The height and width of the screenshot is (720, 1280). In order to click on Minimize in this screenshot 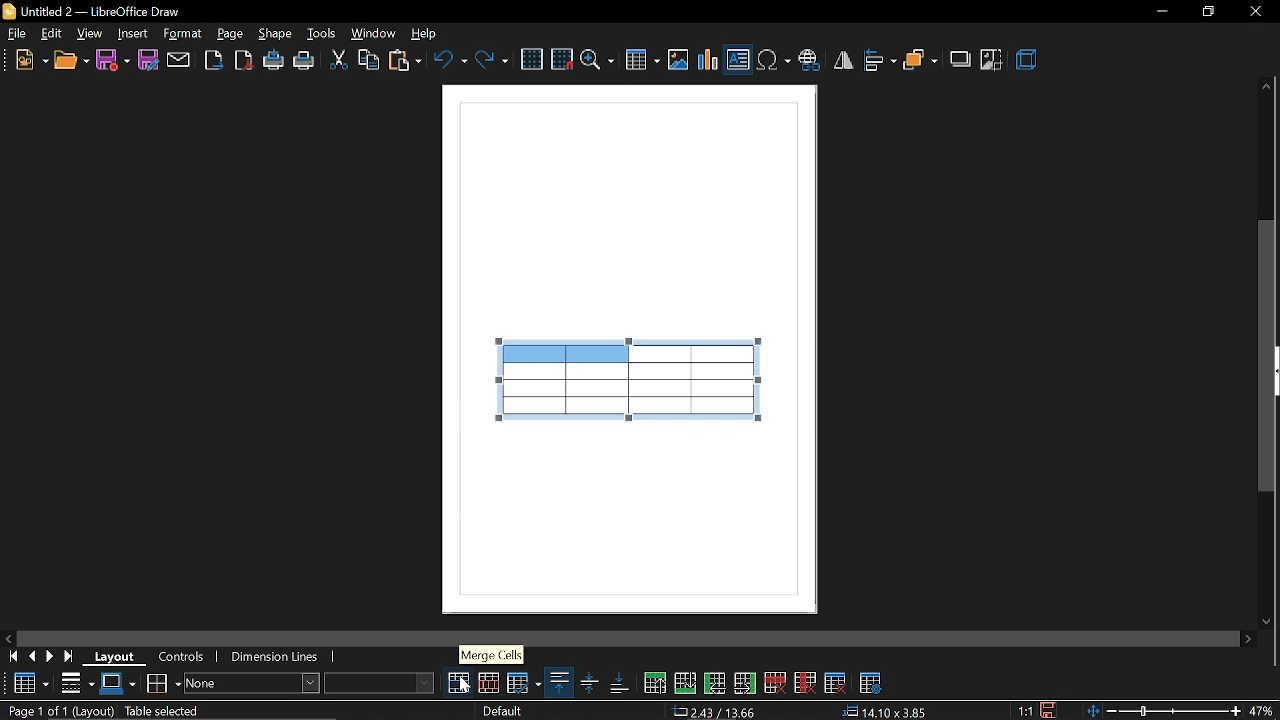, I will do `click(1157, 12)`.